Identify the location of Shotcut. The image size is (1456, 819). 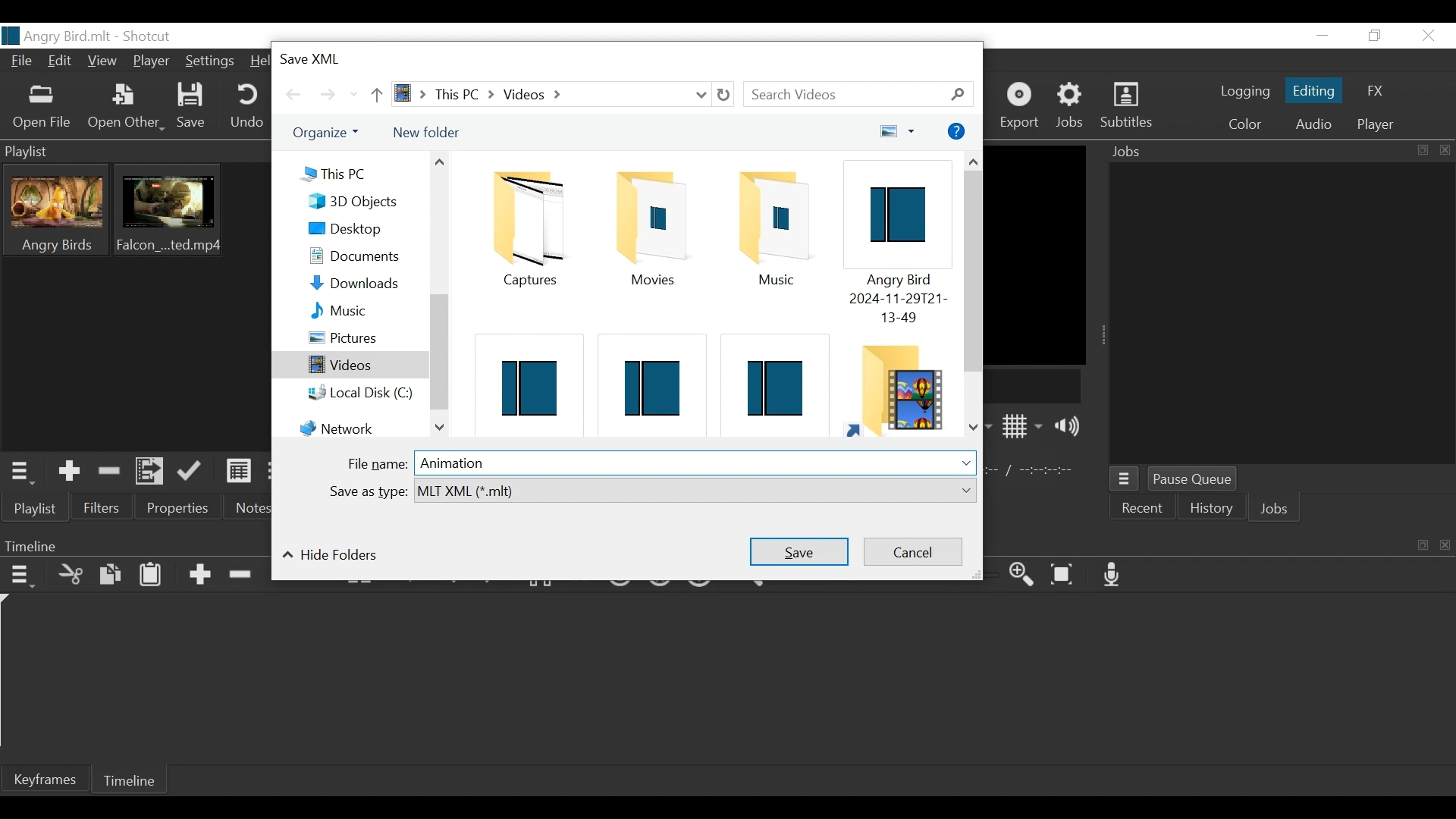
(145, 37).